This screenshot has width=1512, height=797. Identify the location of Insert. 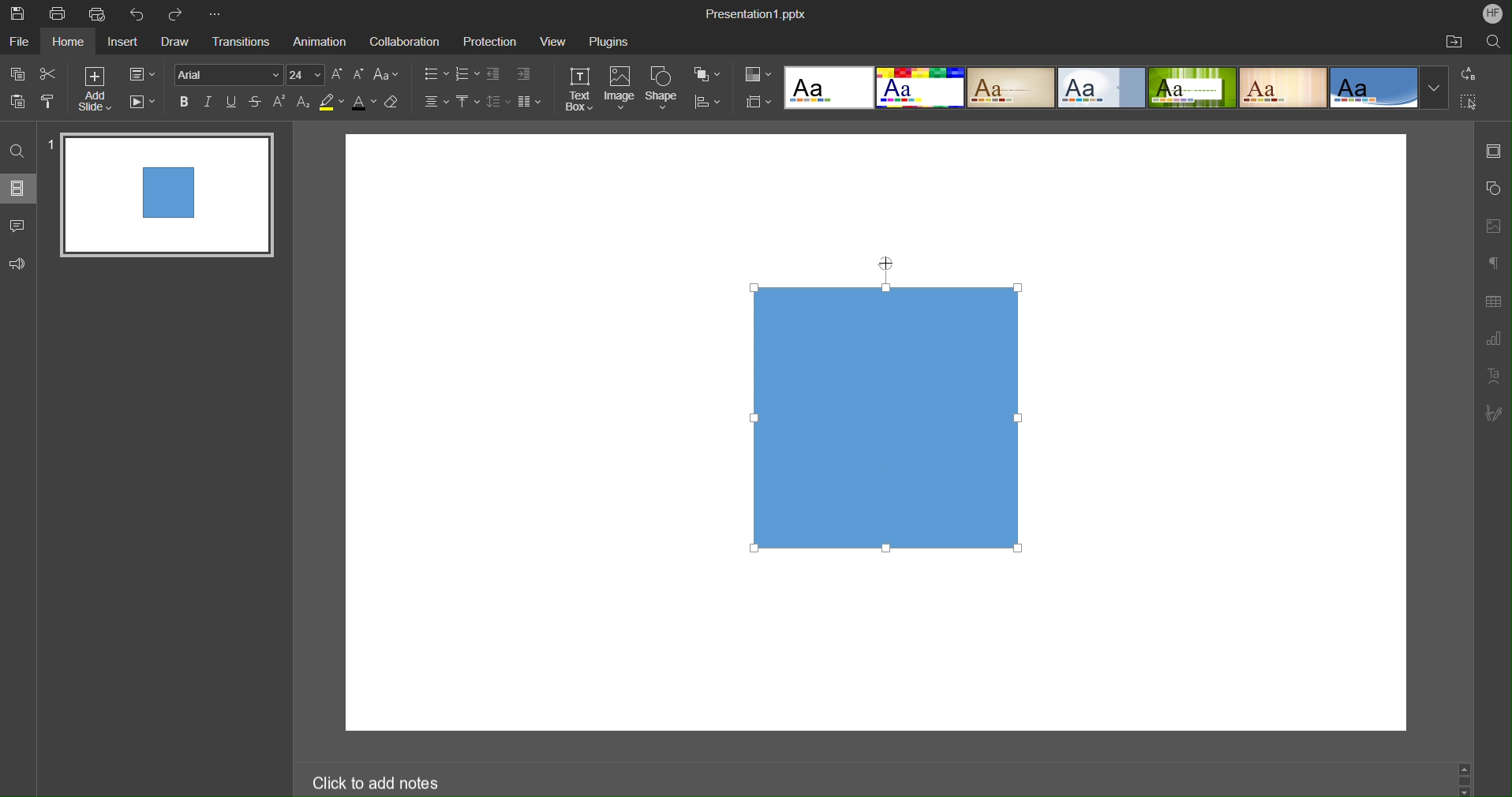
(121, 42).